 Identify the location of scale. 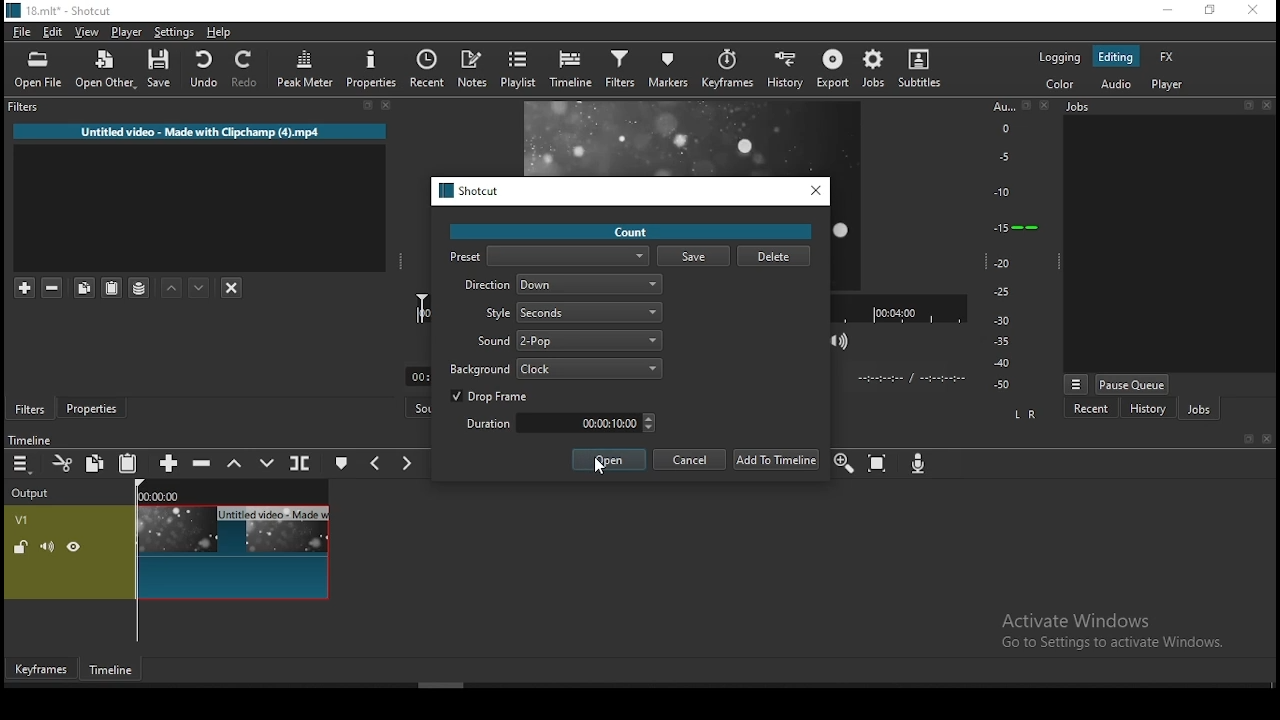
(1010, 243).